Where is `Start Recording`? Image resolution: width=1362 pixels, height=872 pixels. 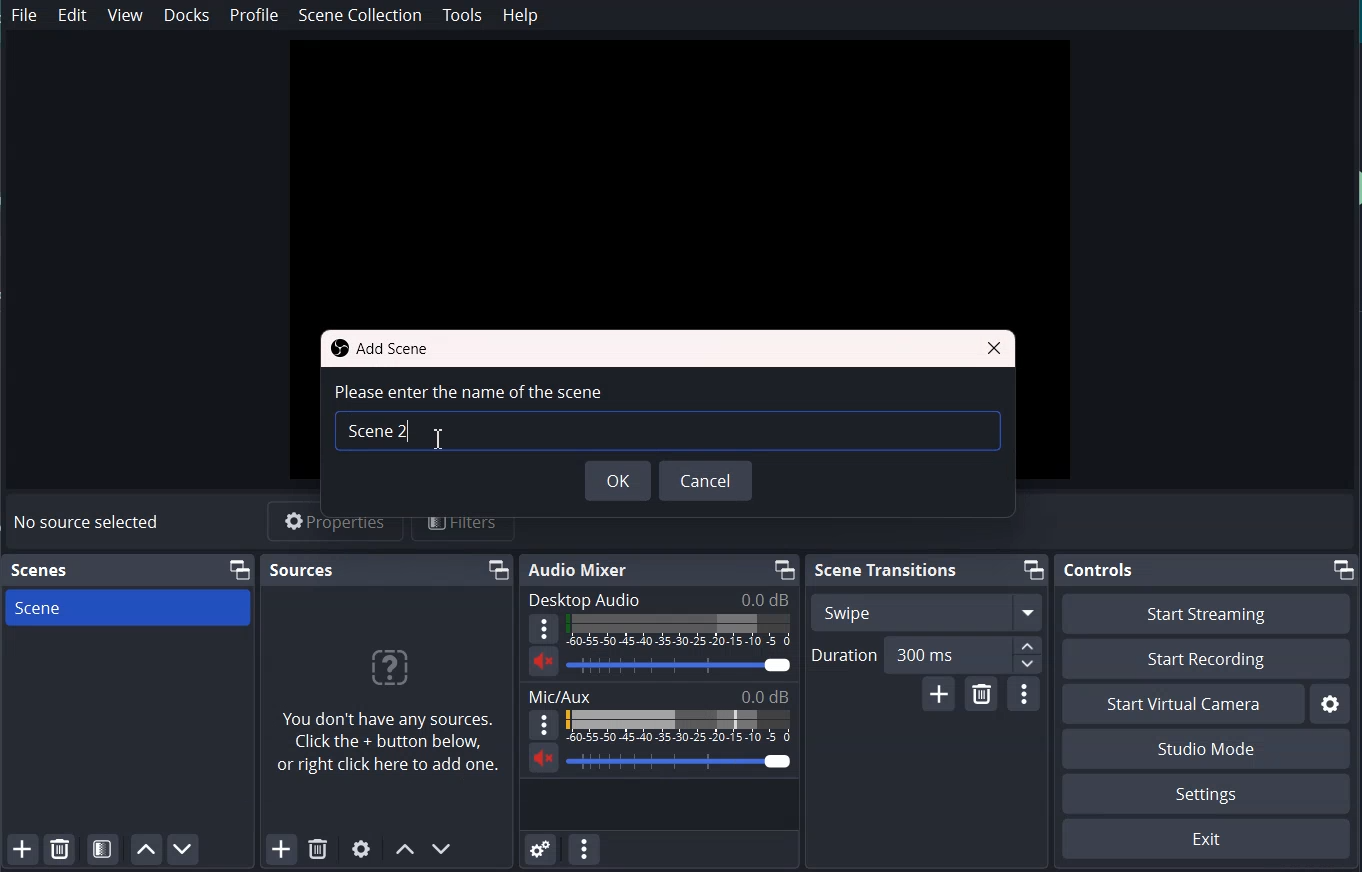 Start Recording is located at coordinates (1207, 659).